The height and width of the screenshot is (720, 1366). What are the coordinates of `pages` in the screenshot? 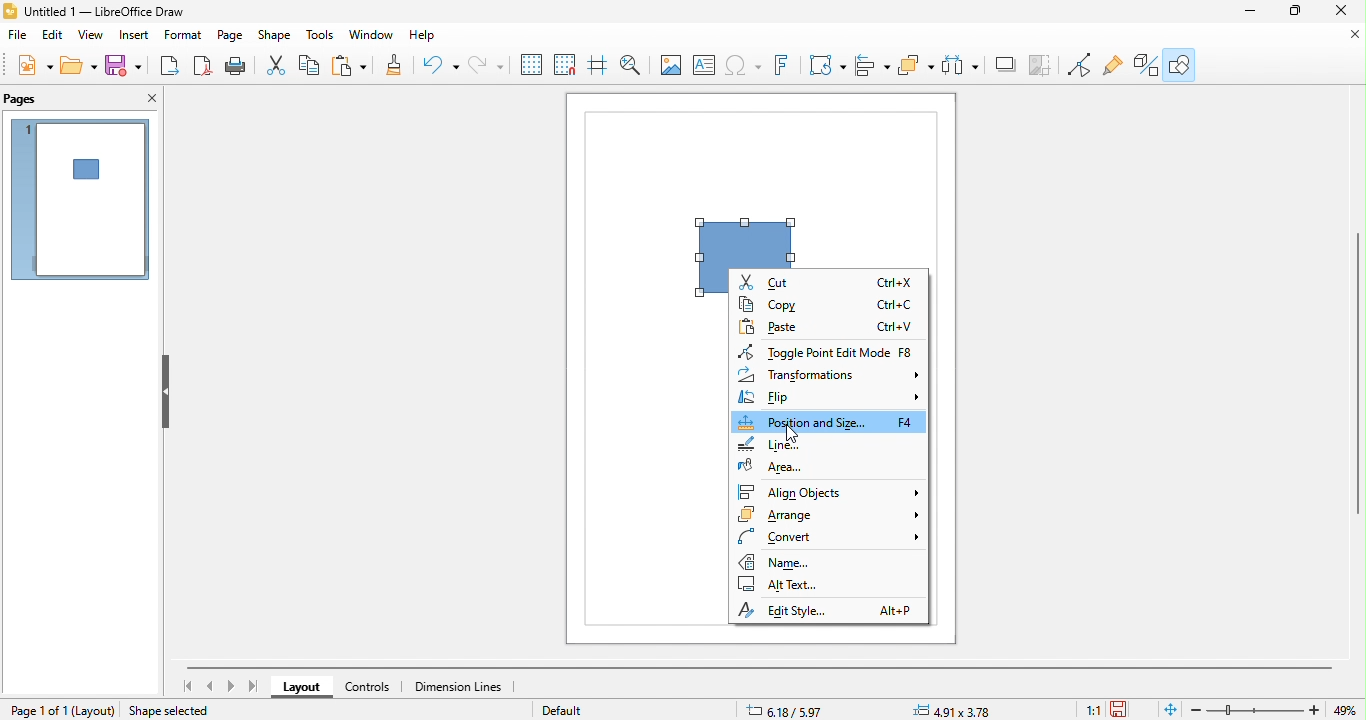 It's located at (35, 99).